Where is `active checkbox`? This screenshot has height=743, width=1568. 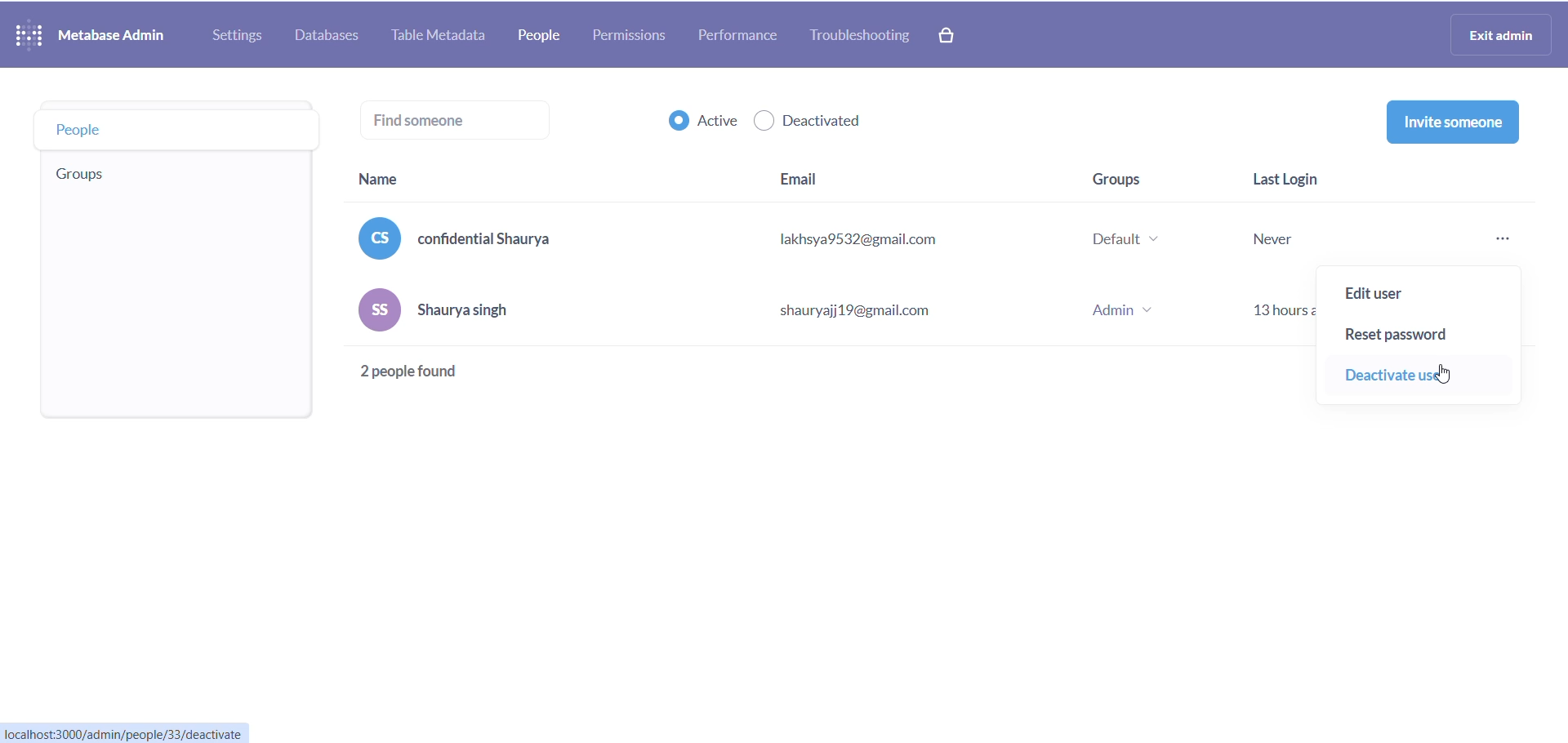
active checkbox is located at coordinates (700, 122).